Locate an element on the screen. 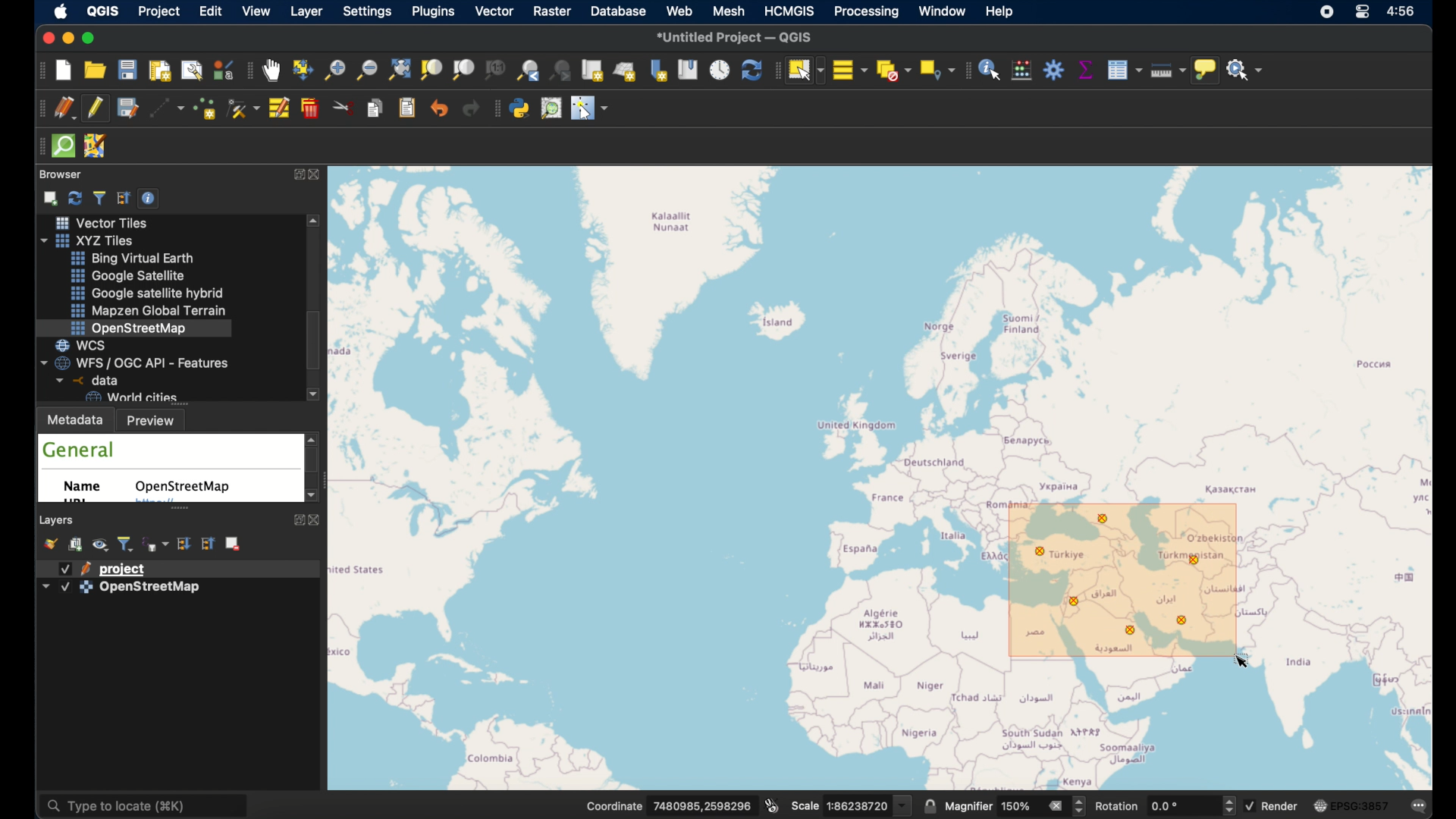 The image size is (1456, 819). metadata is located at coordinates (76, 419).